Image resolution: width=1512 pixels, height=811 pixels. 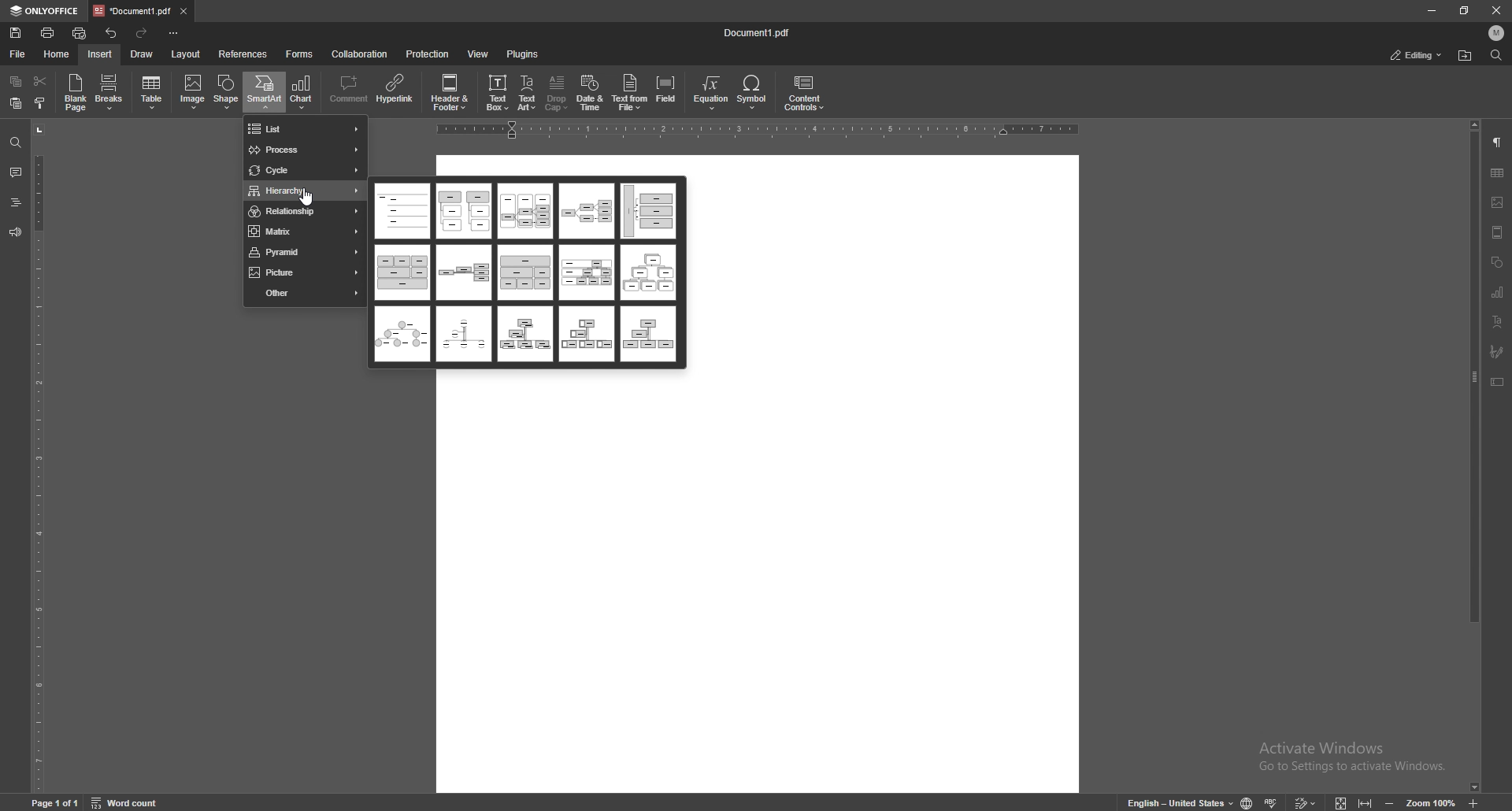 I want to click on insert, so click(x=100, y=54).